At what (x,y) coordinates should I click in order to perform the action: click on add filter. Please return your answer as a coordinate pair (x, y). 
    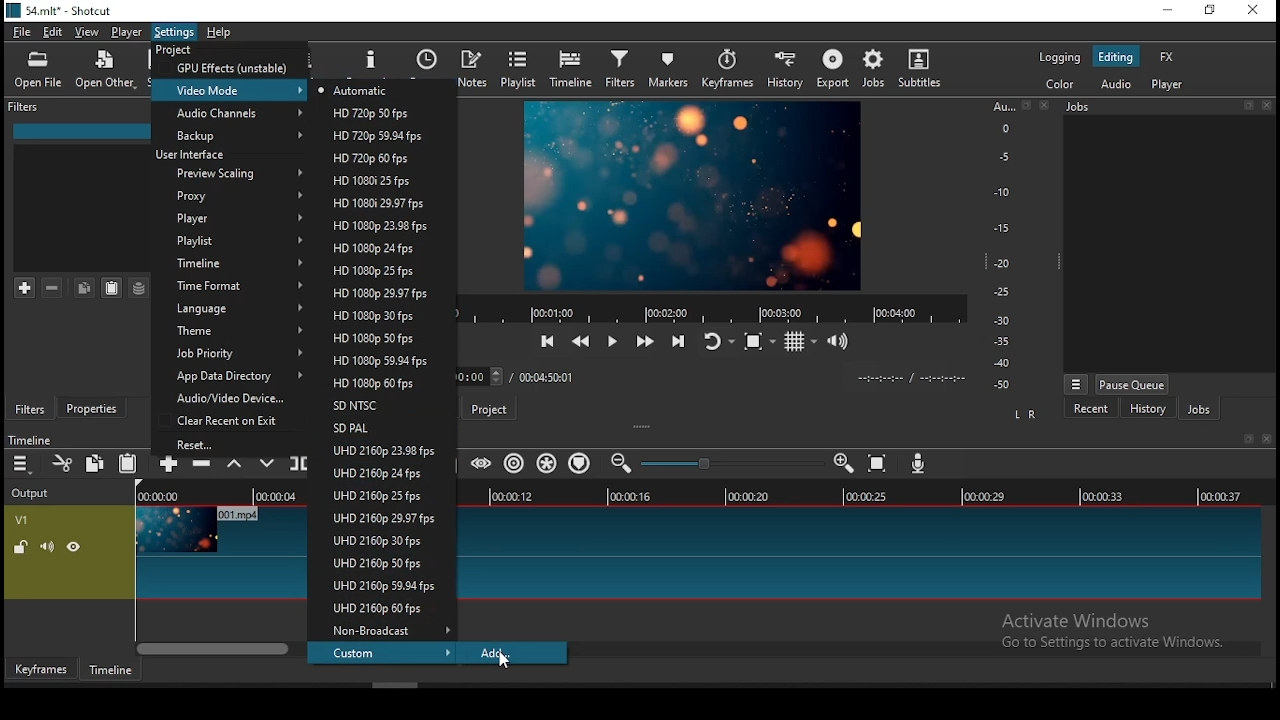
    Looking at the image, I should click on (25, 289).